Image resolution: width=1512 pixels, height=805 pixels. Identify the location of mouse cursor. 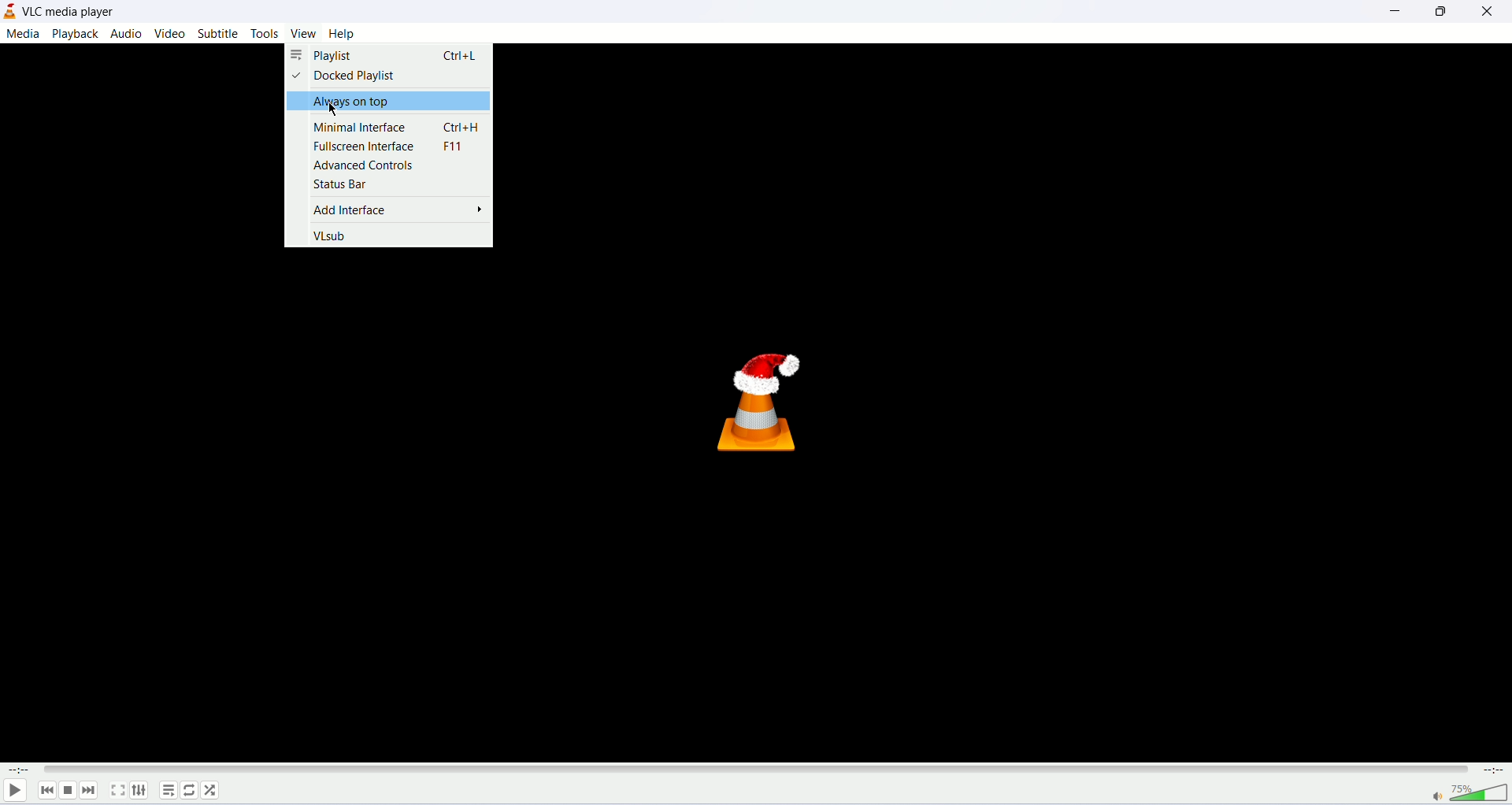
(335, 112).